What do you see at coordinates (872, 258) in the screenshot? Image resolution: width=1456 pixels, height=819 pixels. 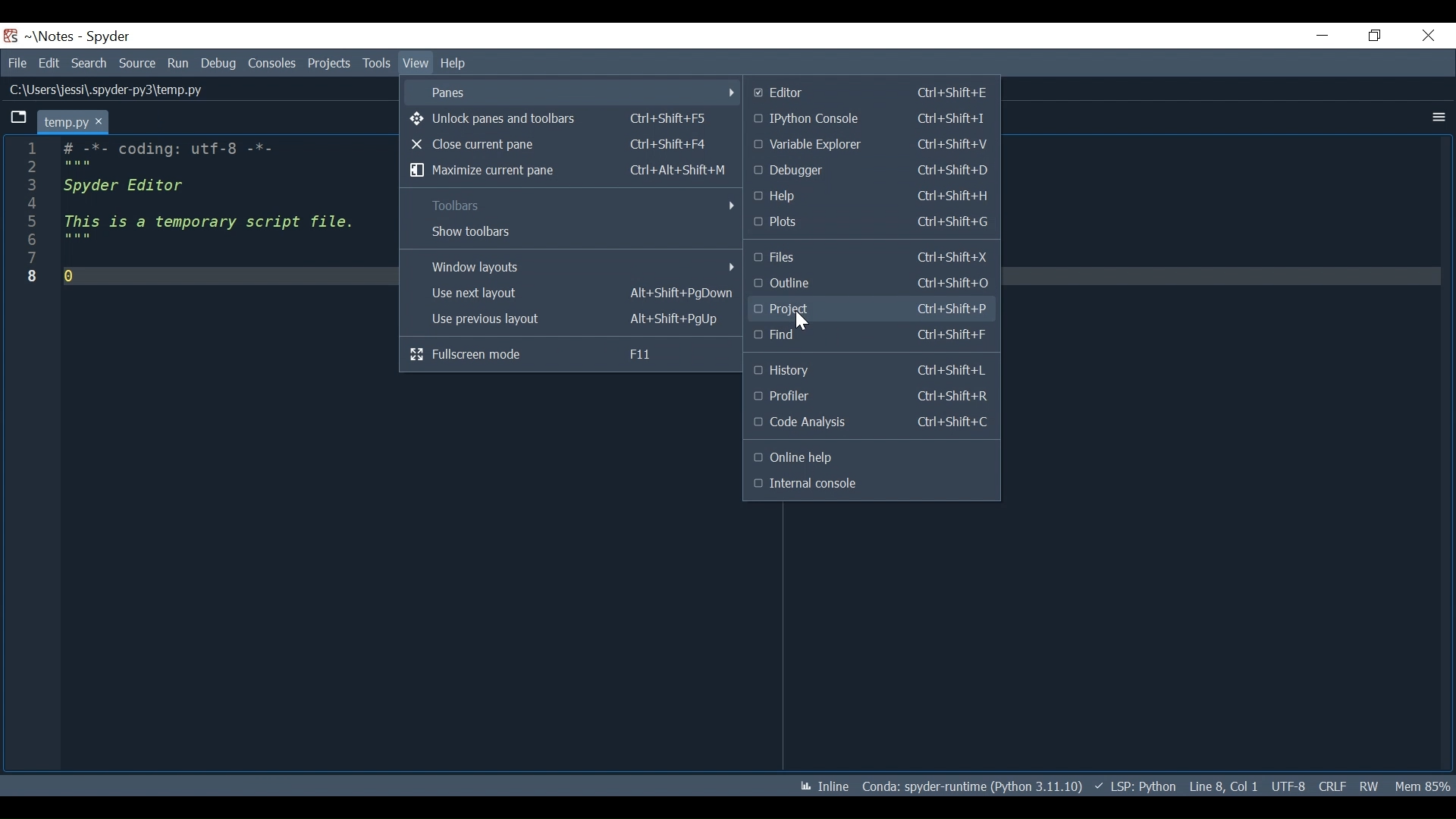 I see `Files` at bounding box center [872, 258].